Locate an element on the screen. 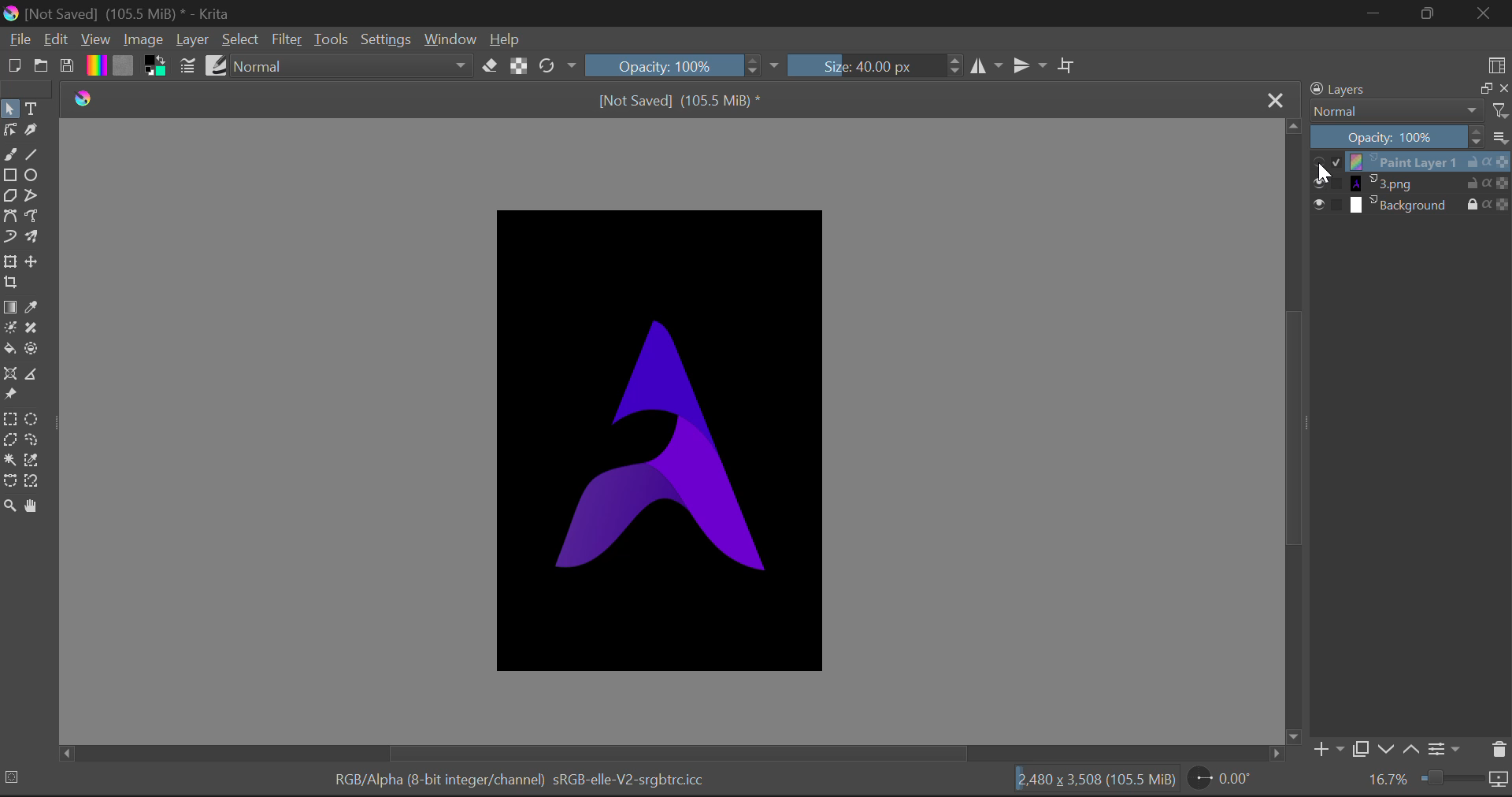 Image resolution: width=1512 pixels, height=797 pixels. [Not Saved] (105.5 MiB) * - Krita is located at coordinates (131, 14).